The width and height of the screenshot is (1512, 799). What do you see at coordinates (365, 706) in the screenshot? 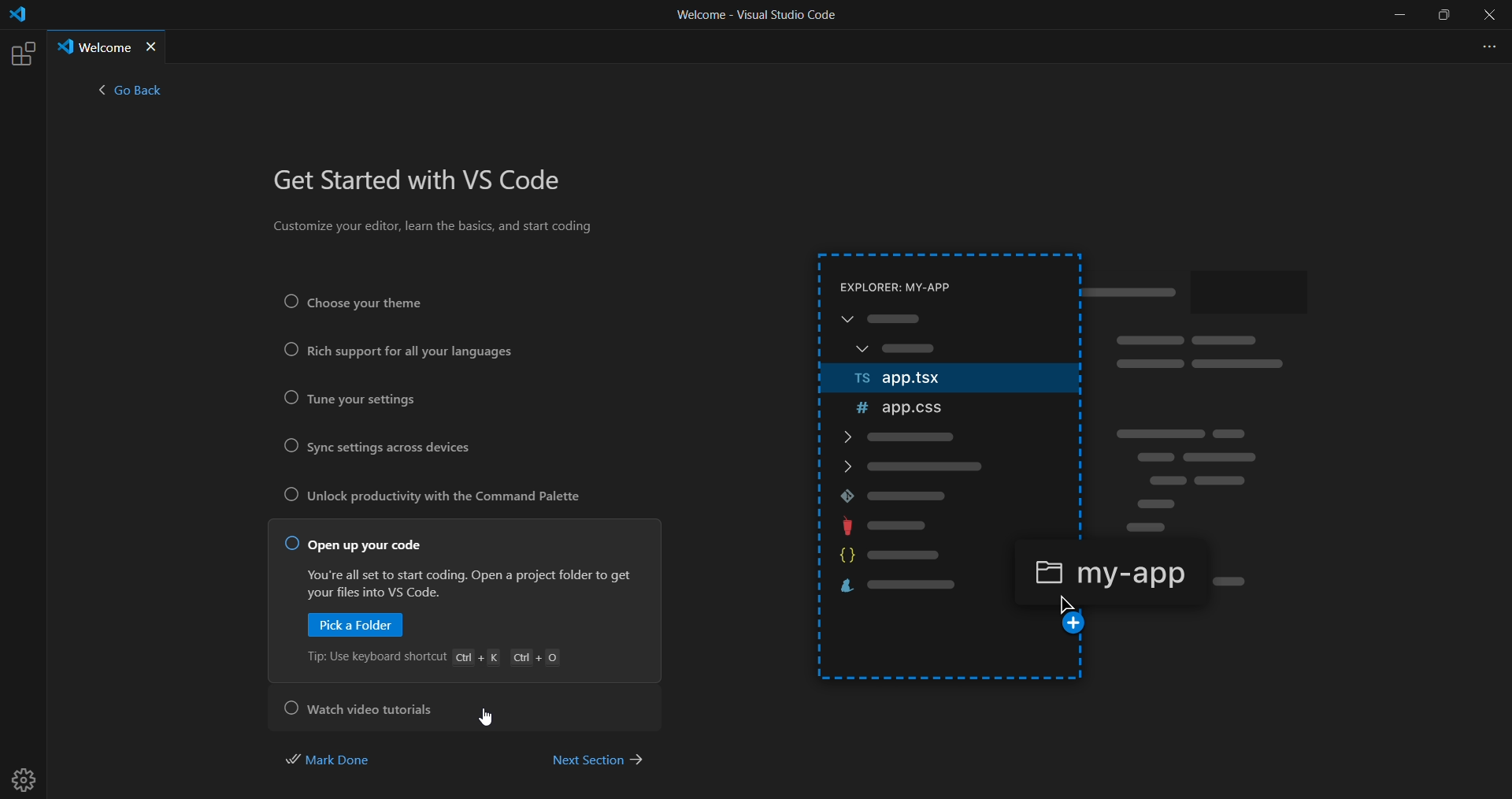
I see `watch video tutorial` at bounding box center [365, 706].